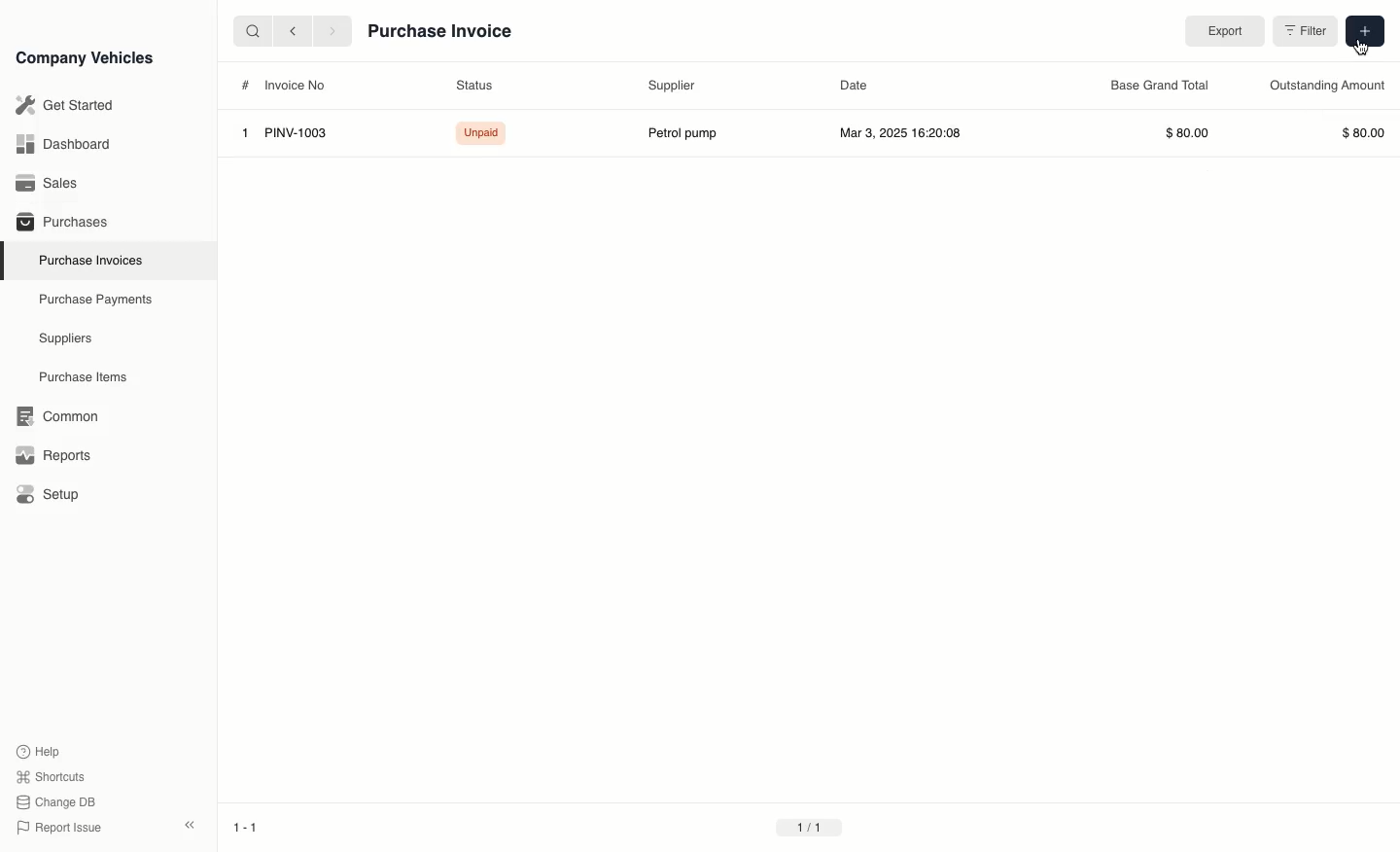 The height and width of the screenshot is (852, 1400). Describe the element at coordinates (440, 31) in the screenshot. I see `Purchase Invoice` at that location.